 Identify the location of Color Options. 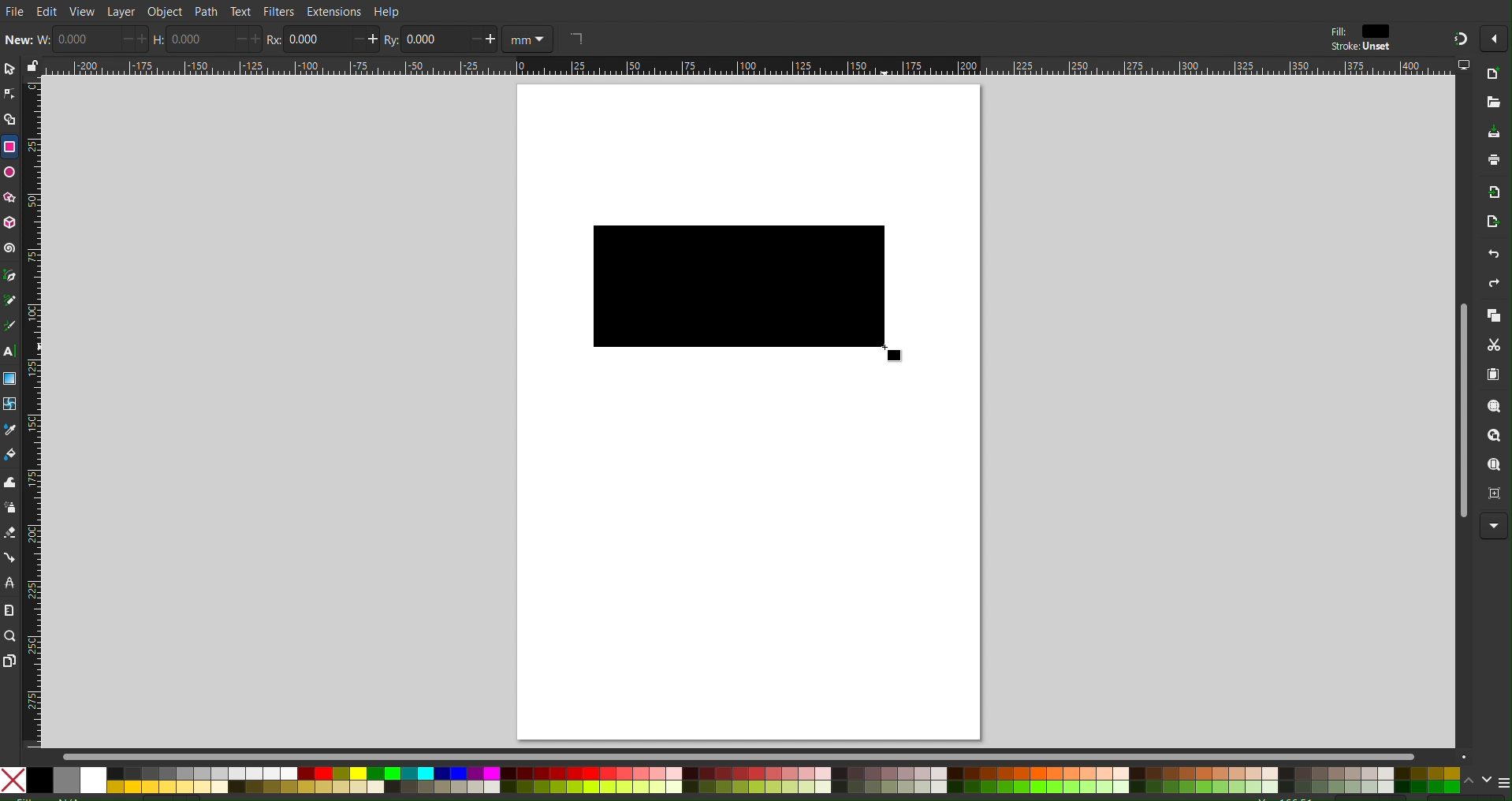
(732, 781).